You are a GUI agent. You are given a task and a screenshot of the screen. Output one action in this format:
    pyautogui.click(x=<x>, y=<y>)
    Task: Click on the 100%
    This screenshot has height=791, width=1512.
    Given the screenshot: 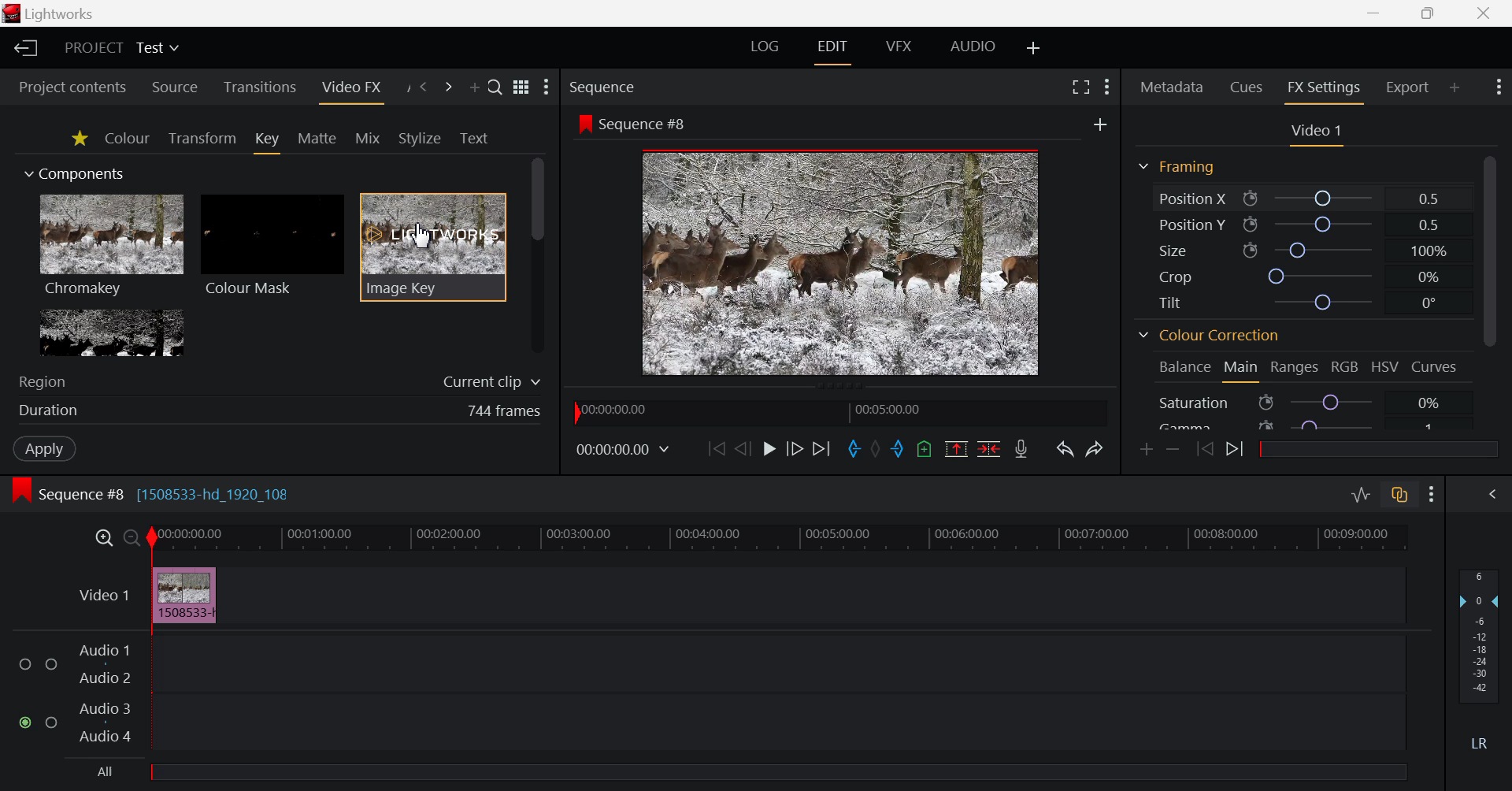 What is the action you would take?
    pyautogui.click(x=1430, y=252)
    